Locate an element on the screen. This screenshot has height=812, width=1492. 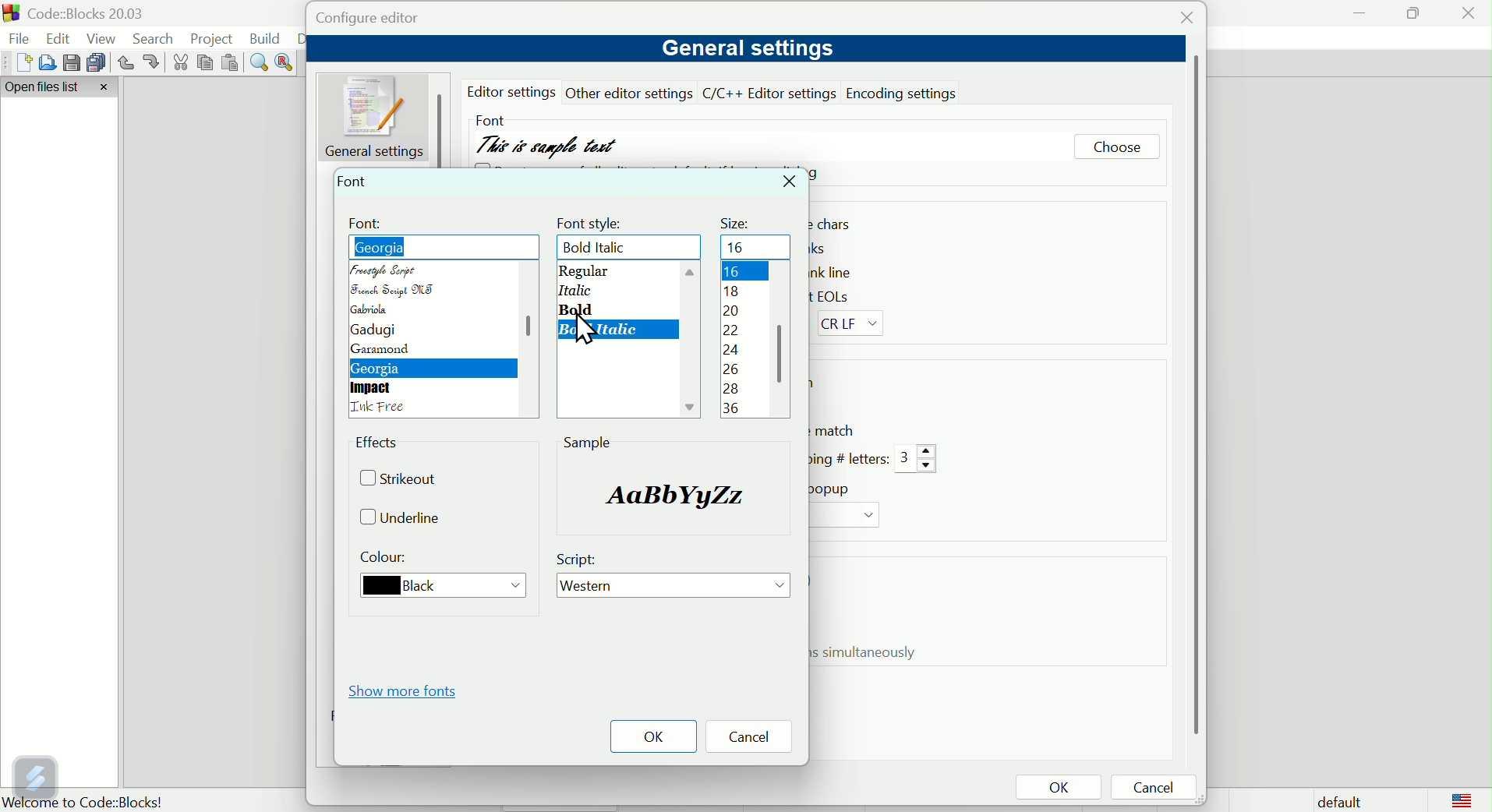
16 is located at coordinates (741, 246).